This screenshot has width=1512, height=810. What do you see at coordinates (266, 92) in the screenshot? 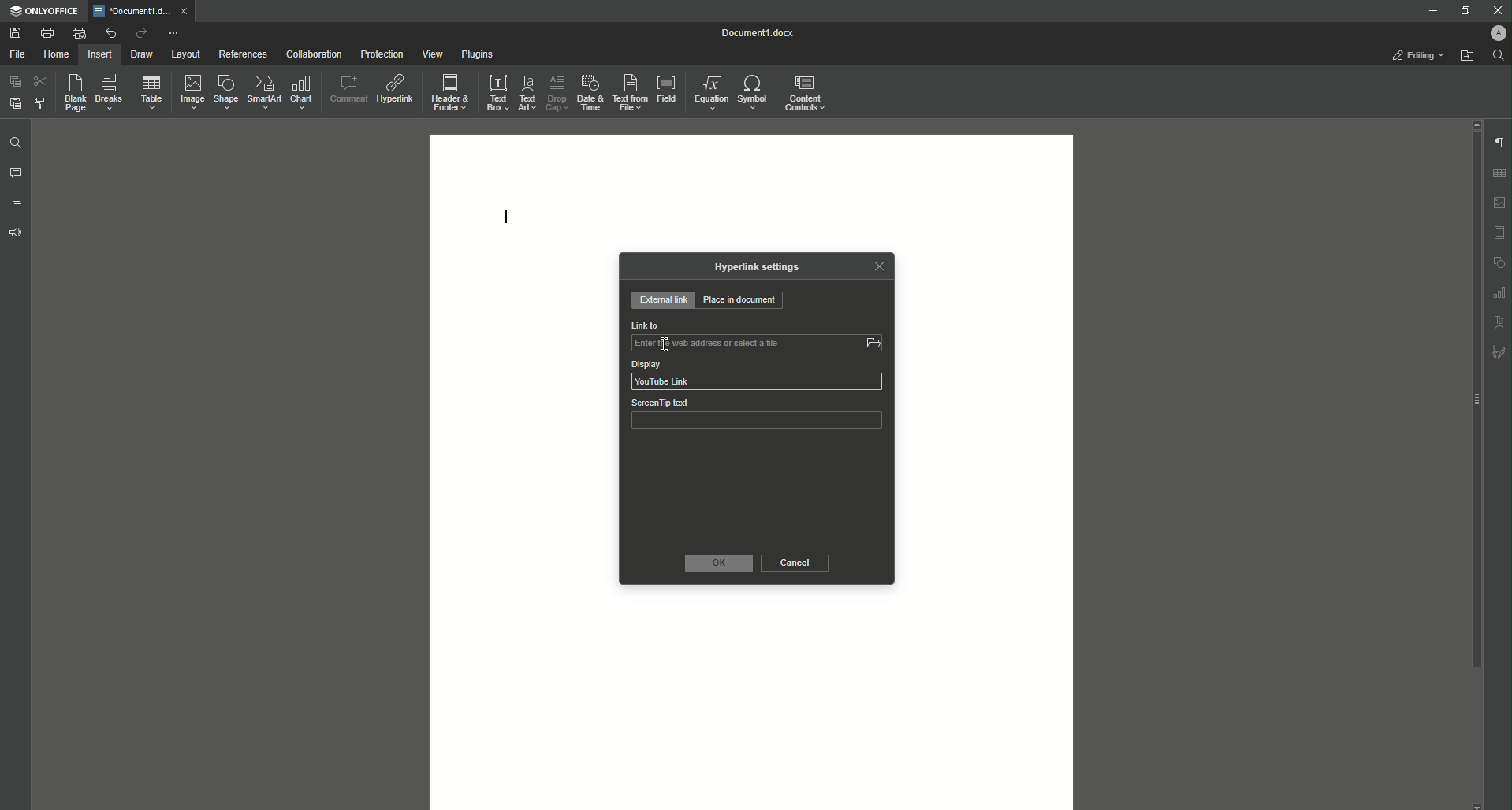
I see `SmartArt` at bounding box center [266, 92].